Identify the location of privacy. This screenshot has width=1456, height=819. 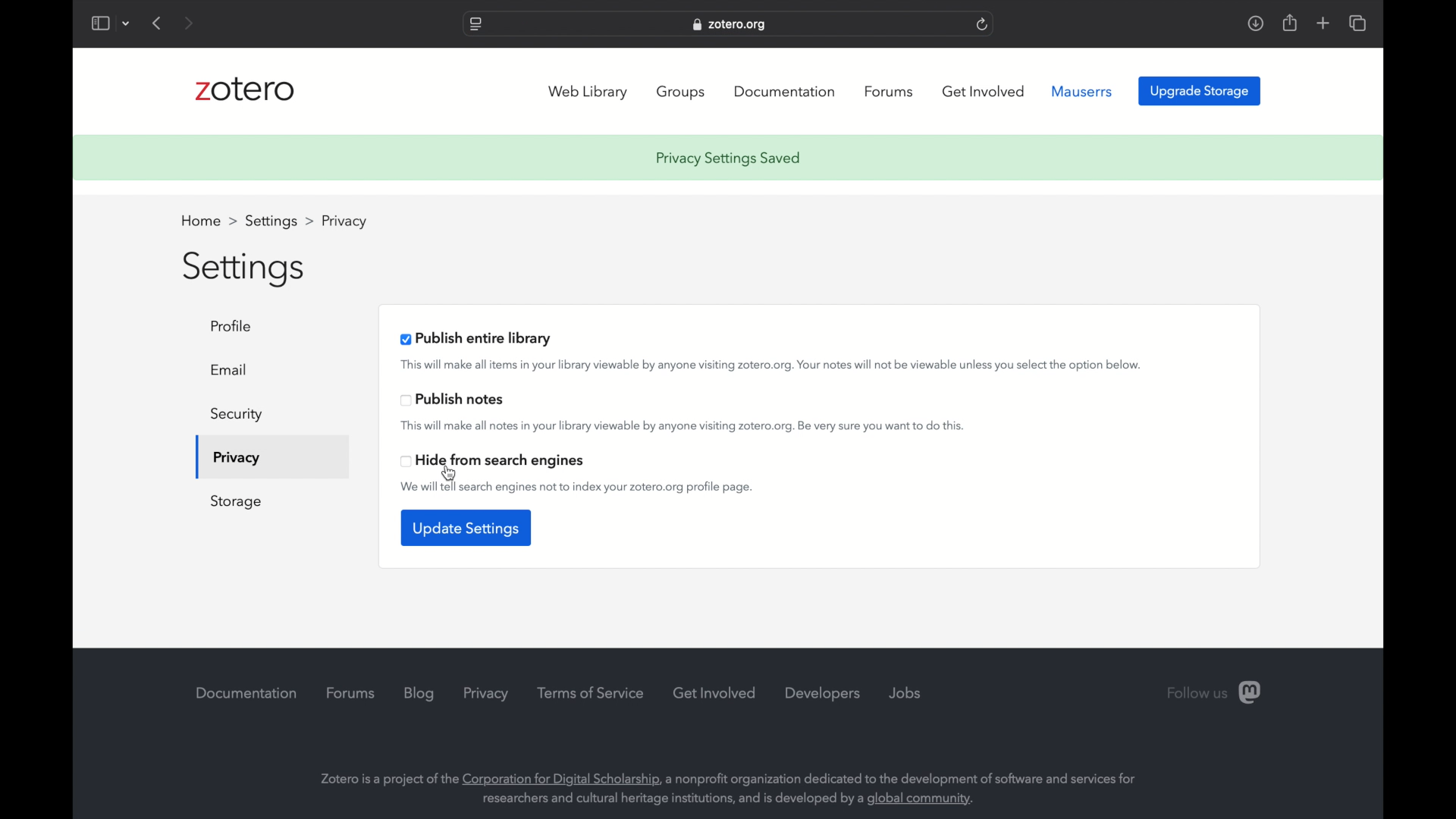
(488, 695).